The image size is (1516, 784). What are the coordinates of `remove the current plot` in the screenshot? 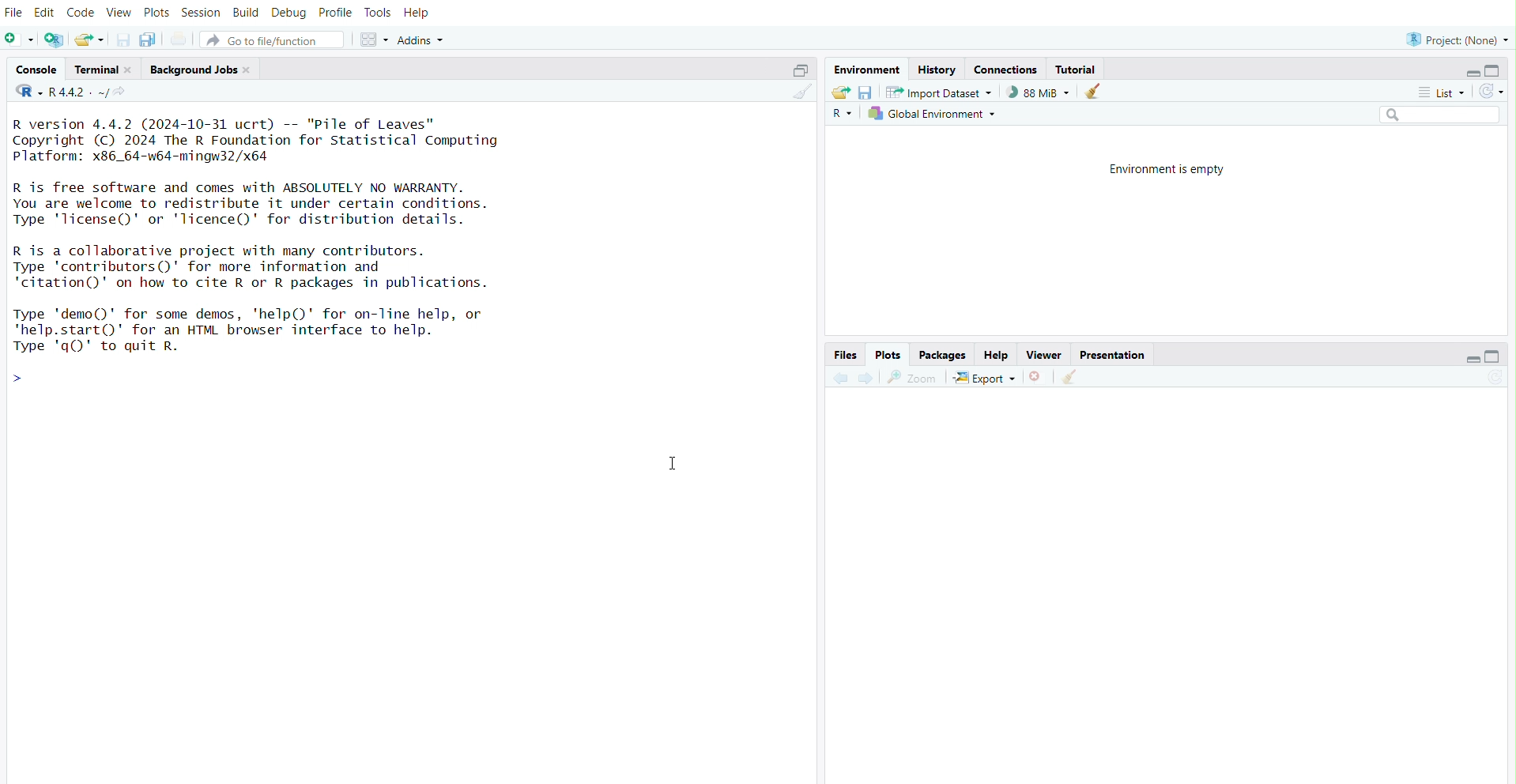 It's located at (1038, 379).